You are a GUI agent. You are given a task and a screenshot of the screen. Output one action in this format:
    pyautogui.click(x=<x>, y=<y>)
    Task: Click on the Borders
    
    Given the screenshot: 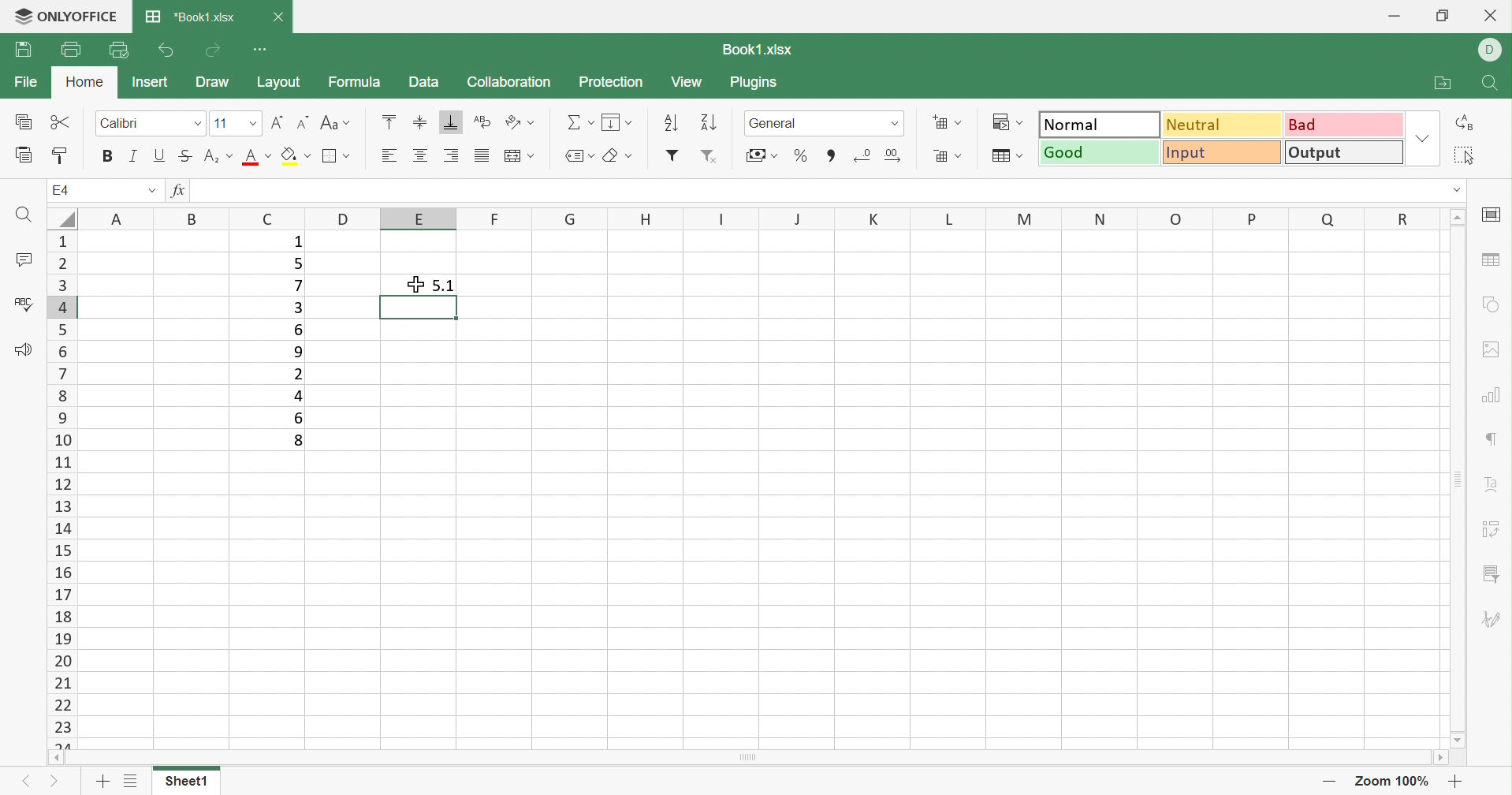 What is the action you would take?
    pyautogui.click(x=335, y=155)
    